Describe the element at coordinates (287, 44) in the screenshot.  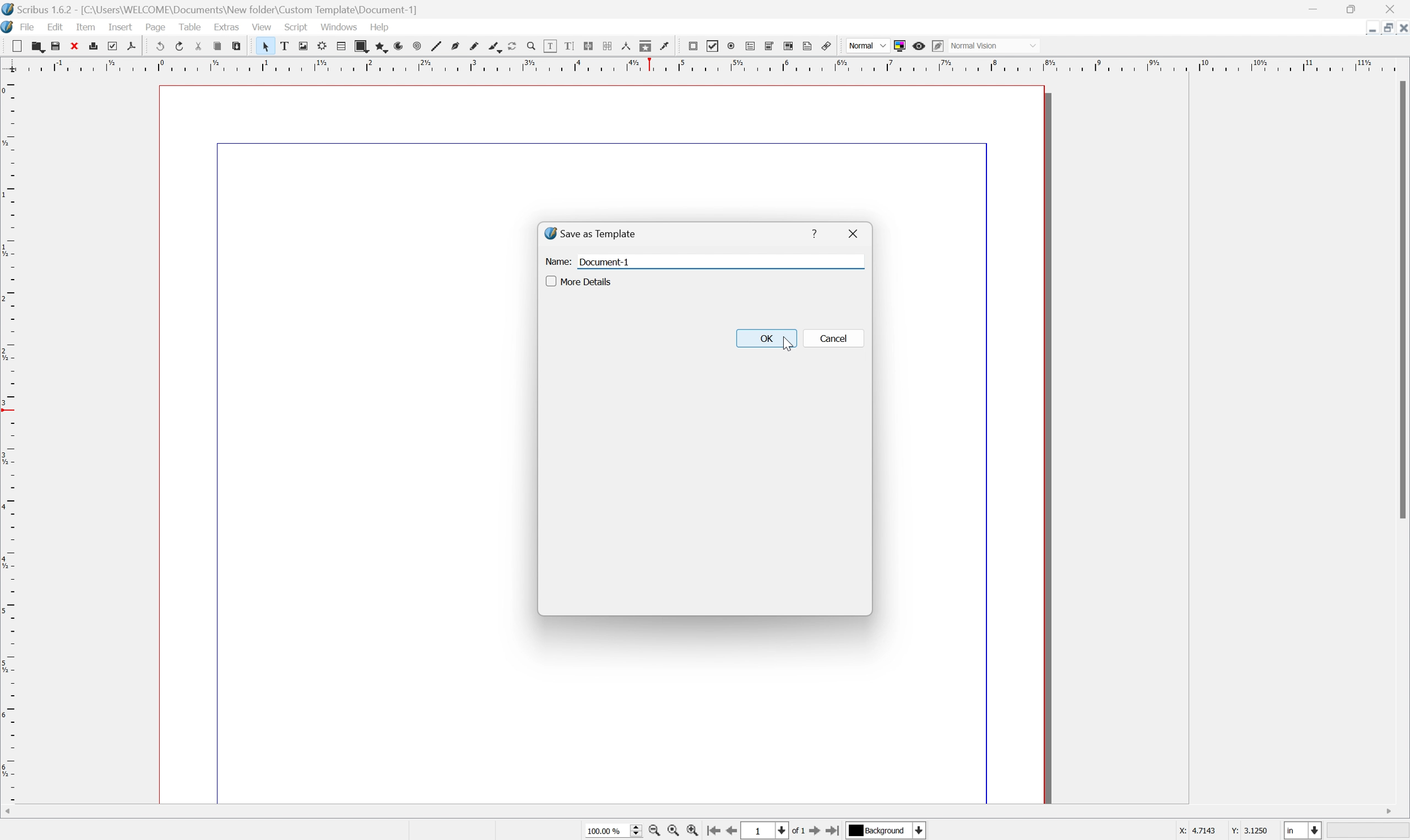
I see `text frame` at that location.